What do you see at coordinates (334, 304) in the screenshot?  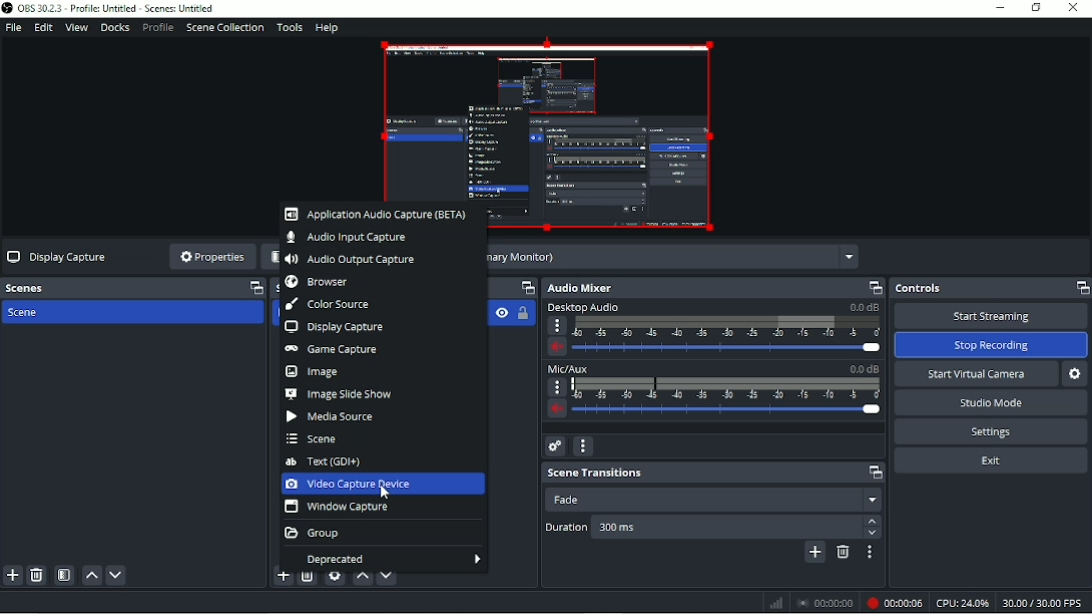 I see `Color source` at bounding box center [334, 304].